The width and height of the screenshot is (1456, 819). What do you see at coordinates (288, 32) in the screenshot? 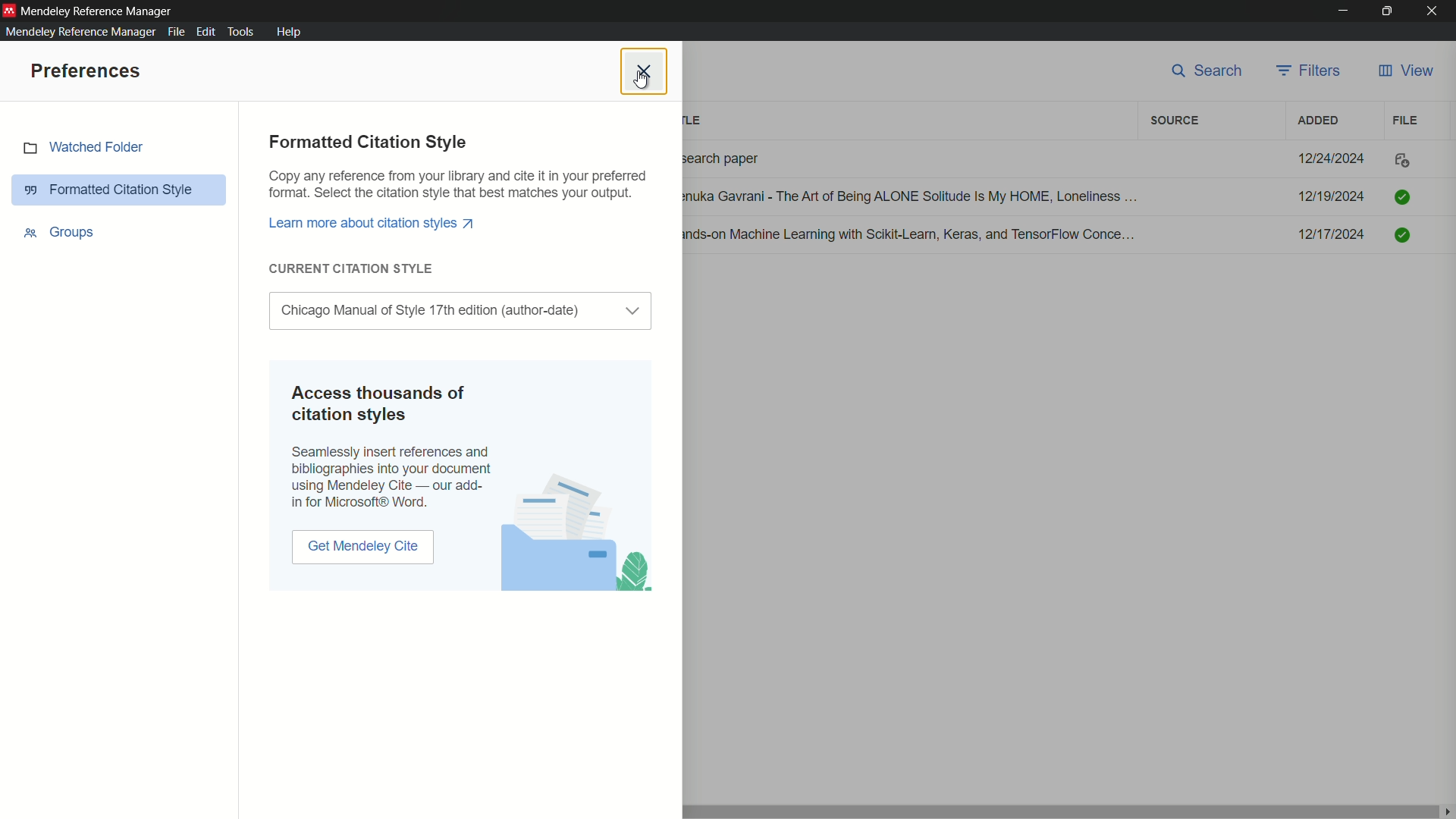
I see `help menu` at bounding box center [288, 32].